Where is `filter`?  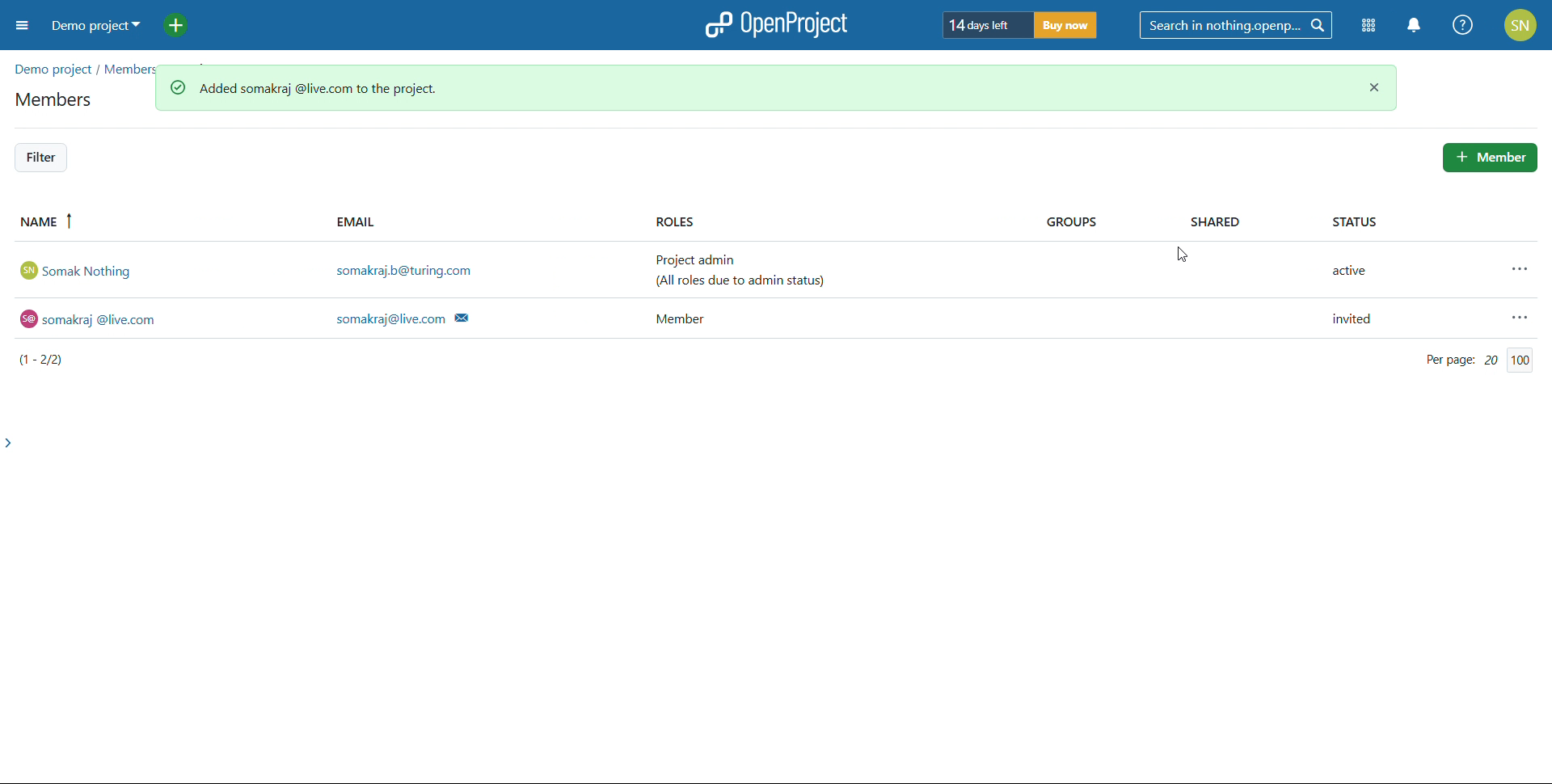 filter is located at coordinates (40, 158).